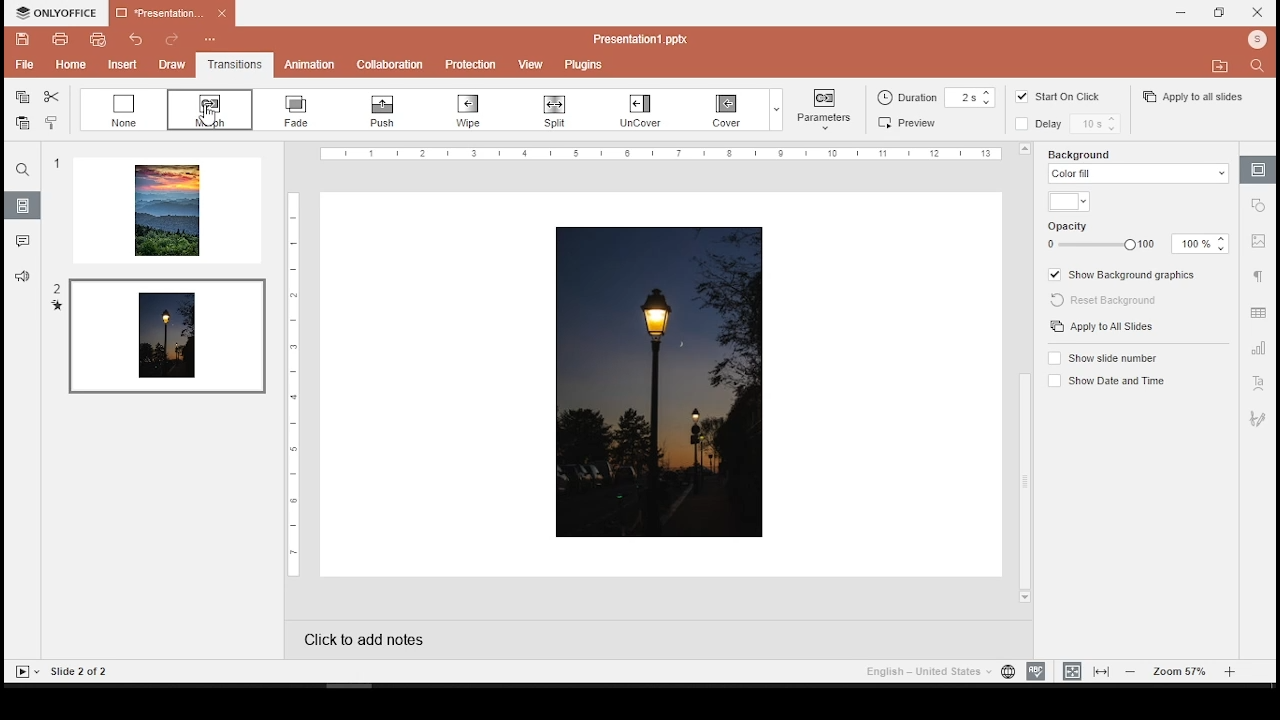 Image resolution: width=1280 pixels, height=720 pixels. What do you see at coordinates (1253, 40) in the screenshot?
I see `profile` at bounding box center [1253, 40].